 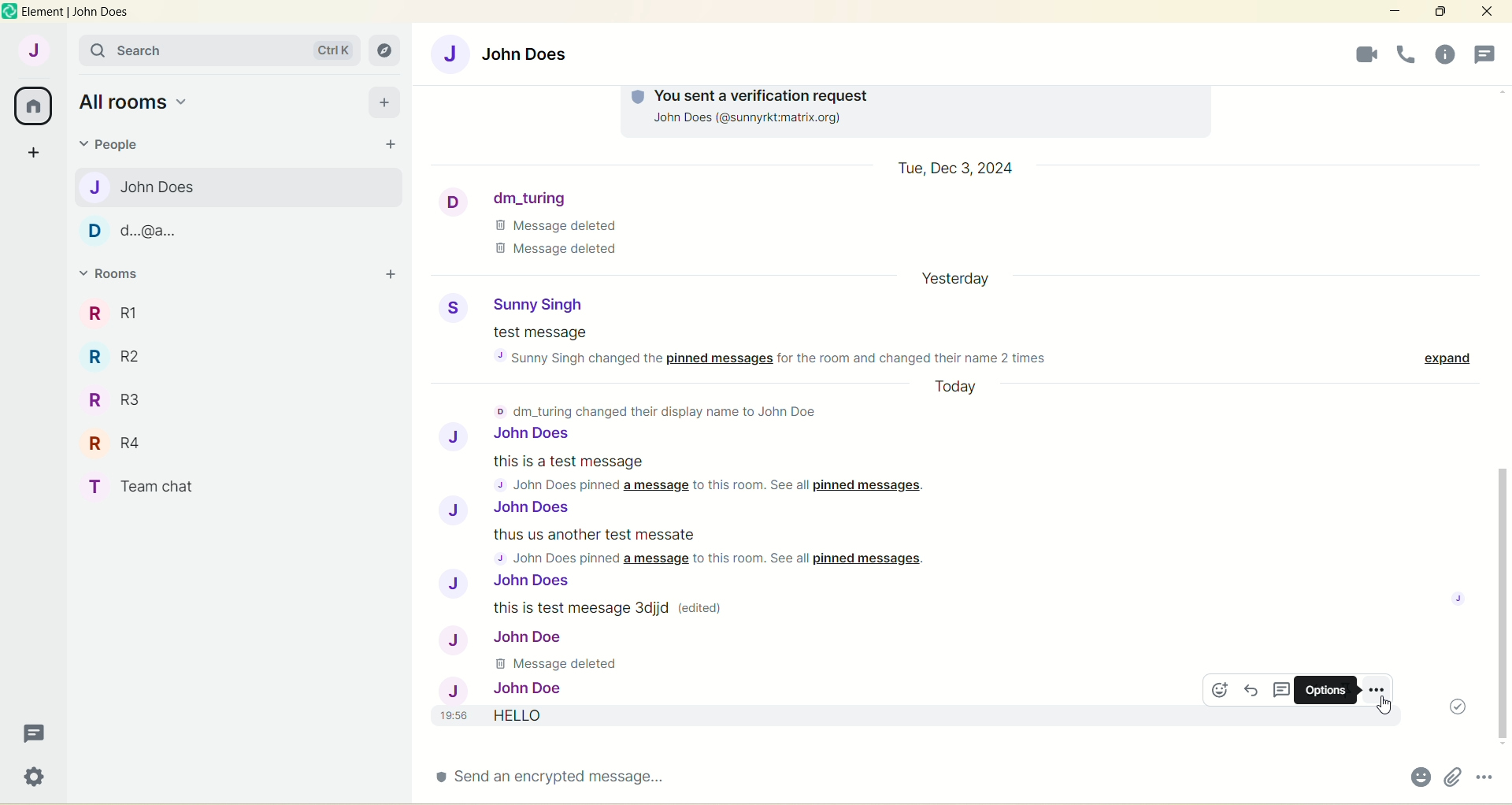 What do you see at coordinates (510, 510) in the screenshot?
I see `J John Does` at bounding box center [510, 510].